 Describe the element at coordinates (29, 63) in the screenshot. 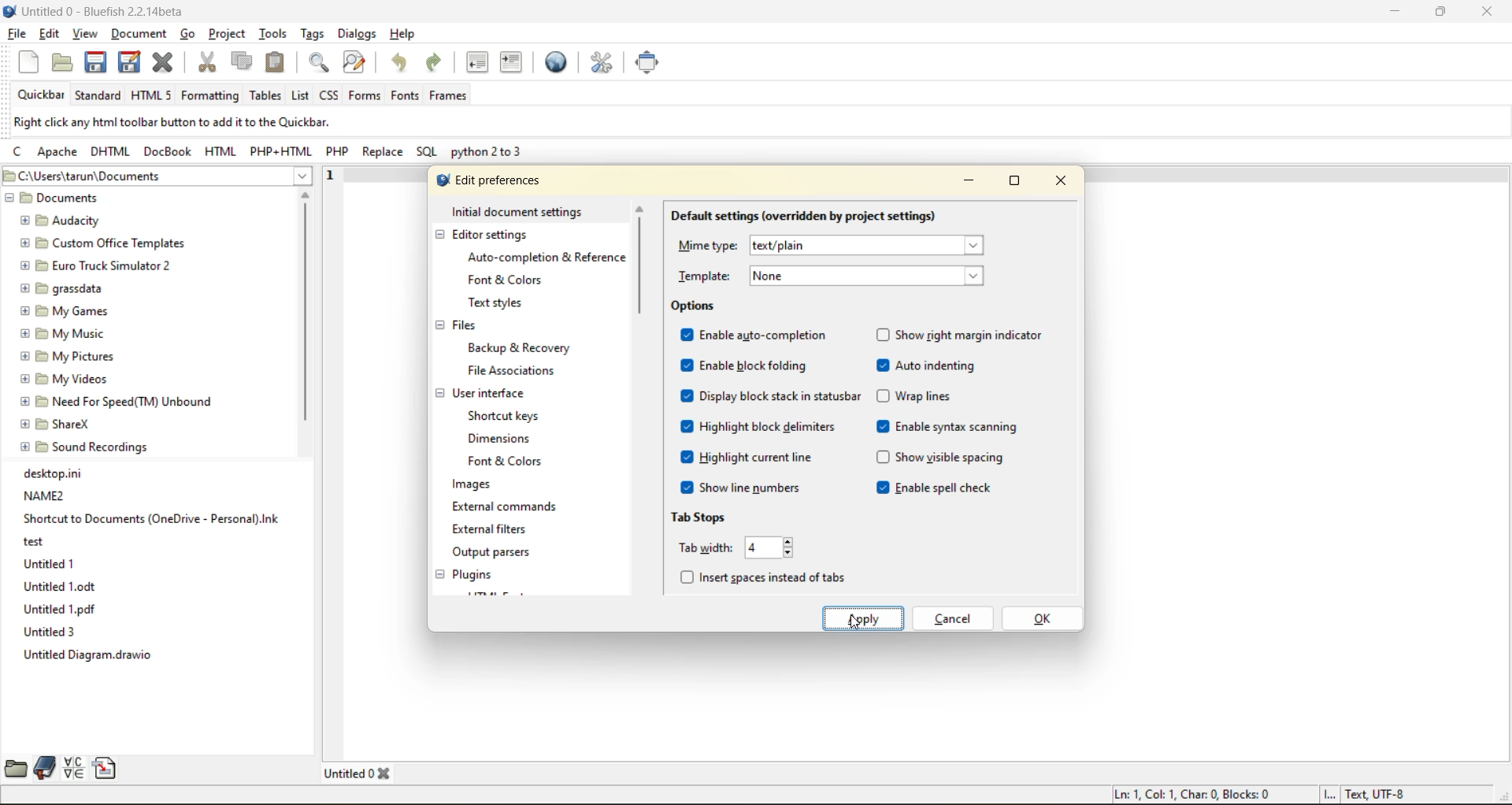

I see `new` at that location.